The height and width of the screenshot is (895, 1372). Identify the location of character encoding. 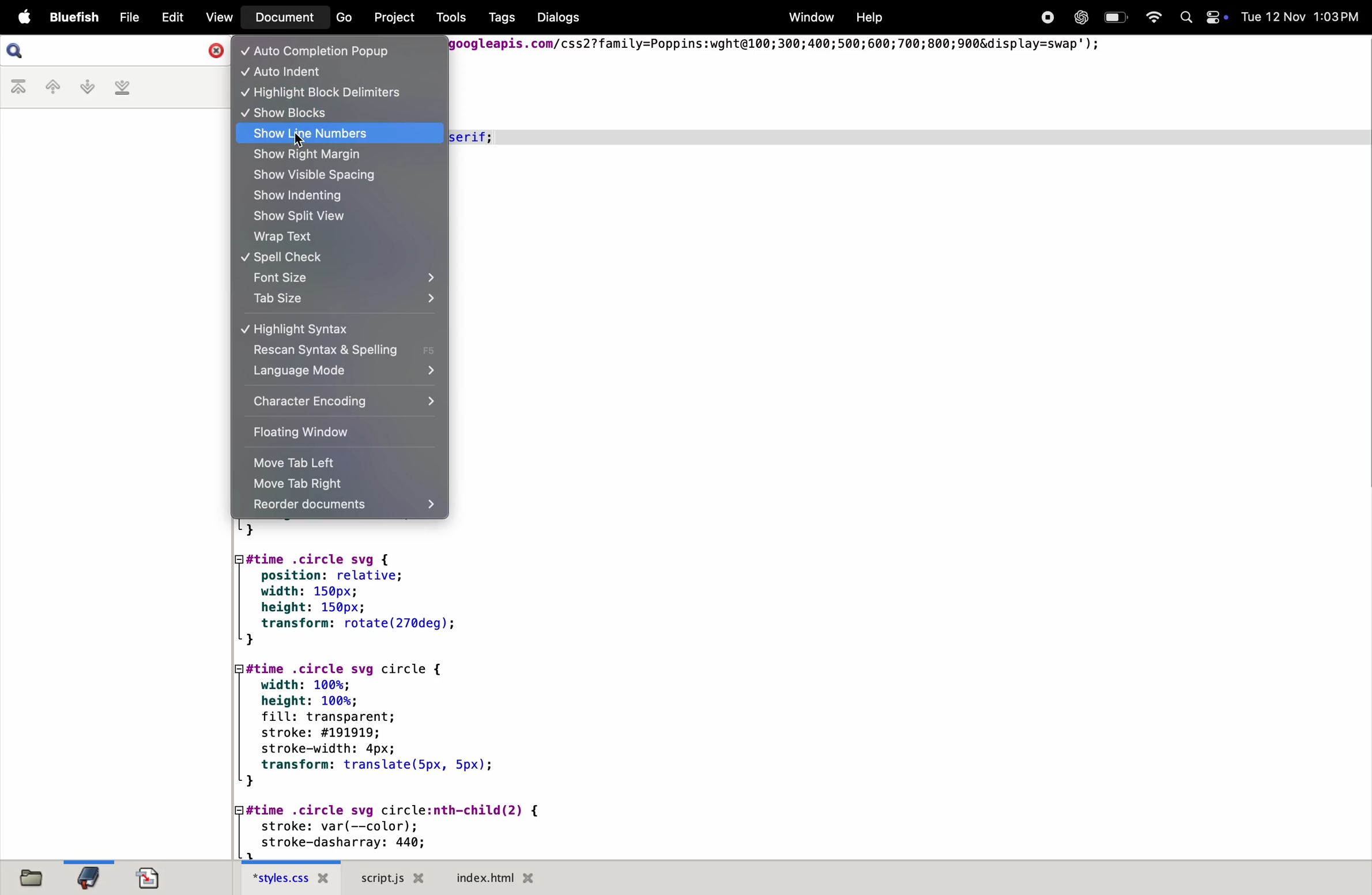
(340, 400).